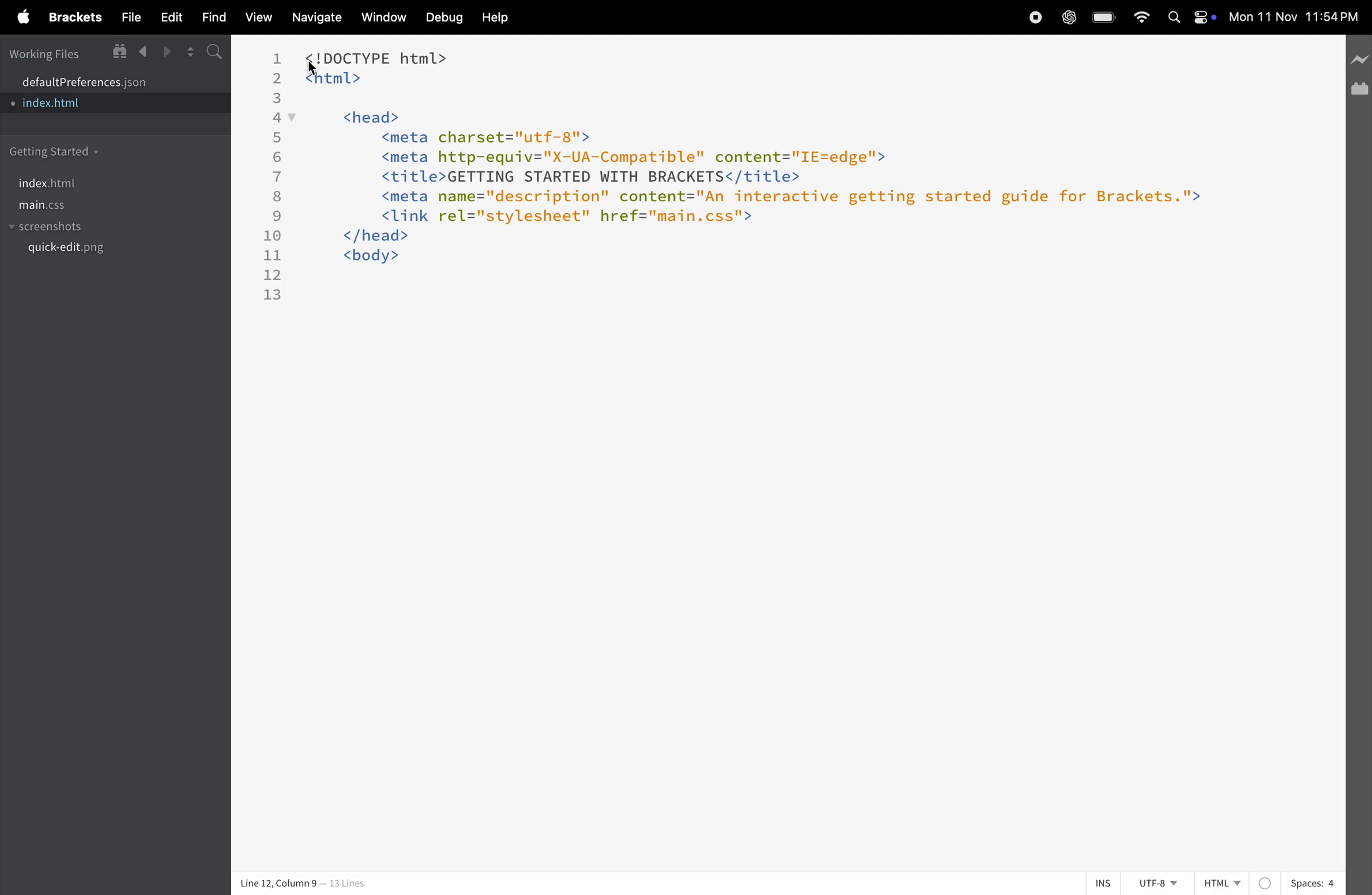 The image size is (1372, 895). What do you see at coordinates (278, 157) in the screenshot?
I see `6` at bounding box center [278, 157].